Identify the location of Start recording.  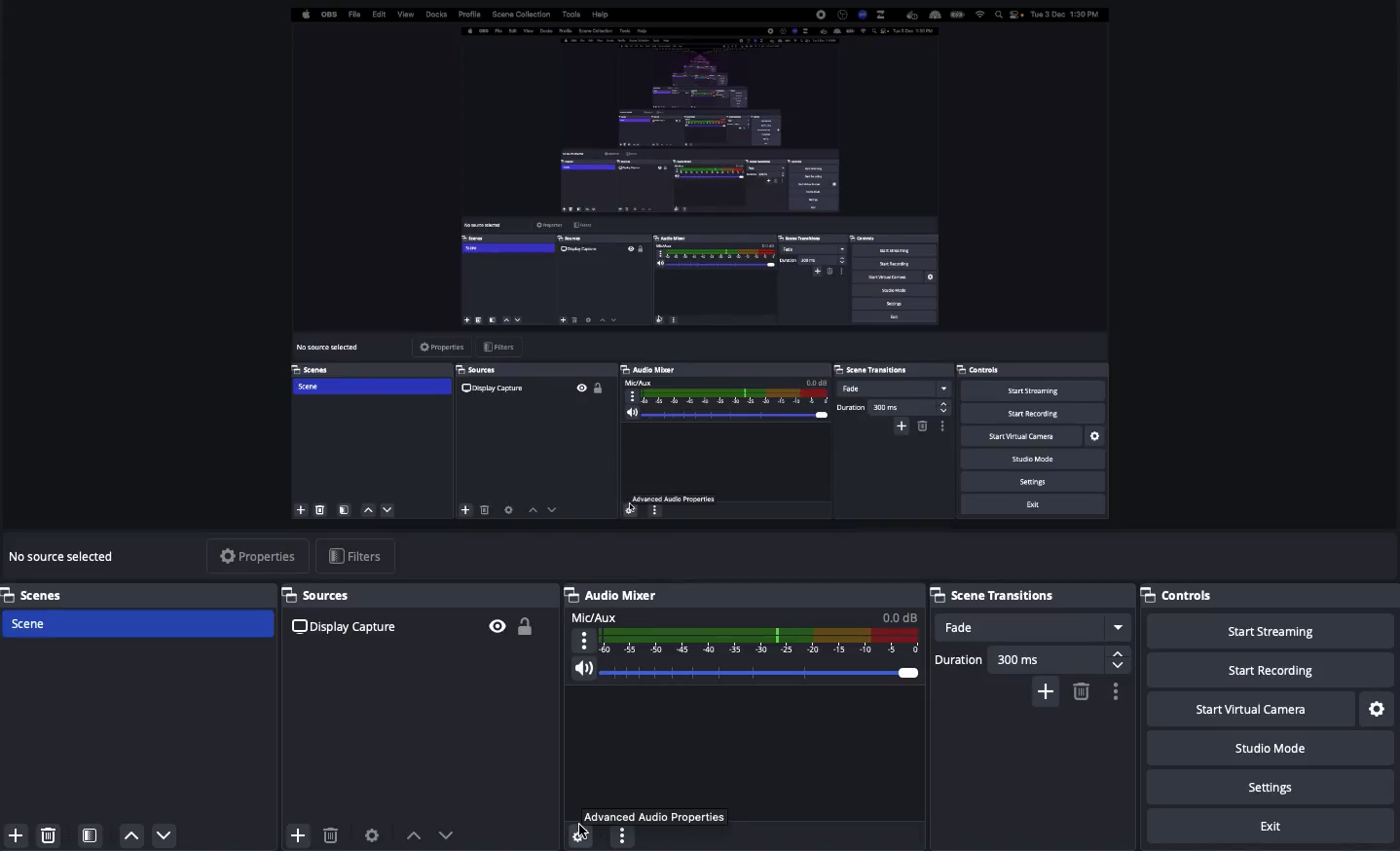
(1271, 669).